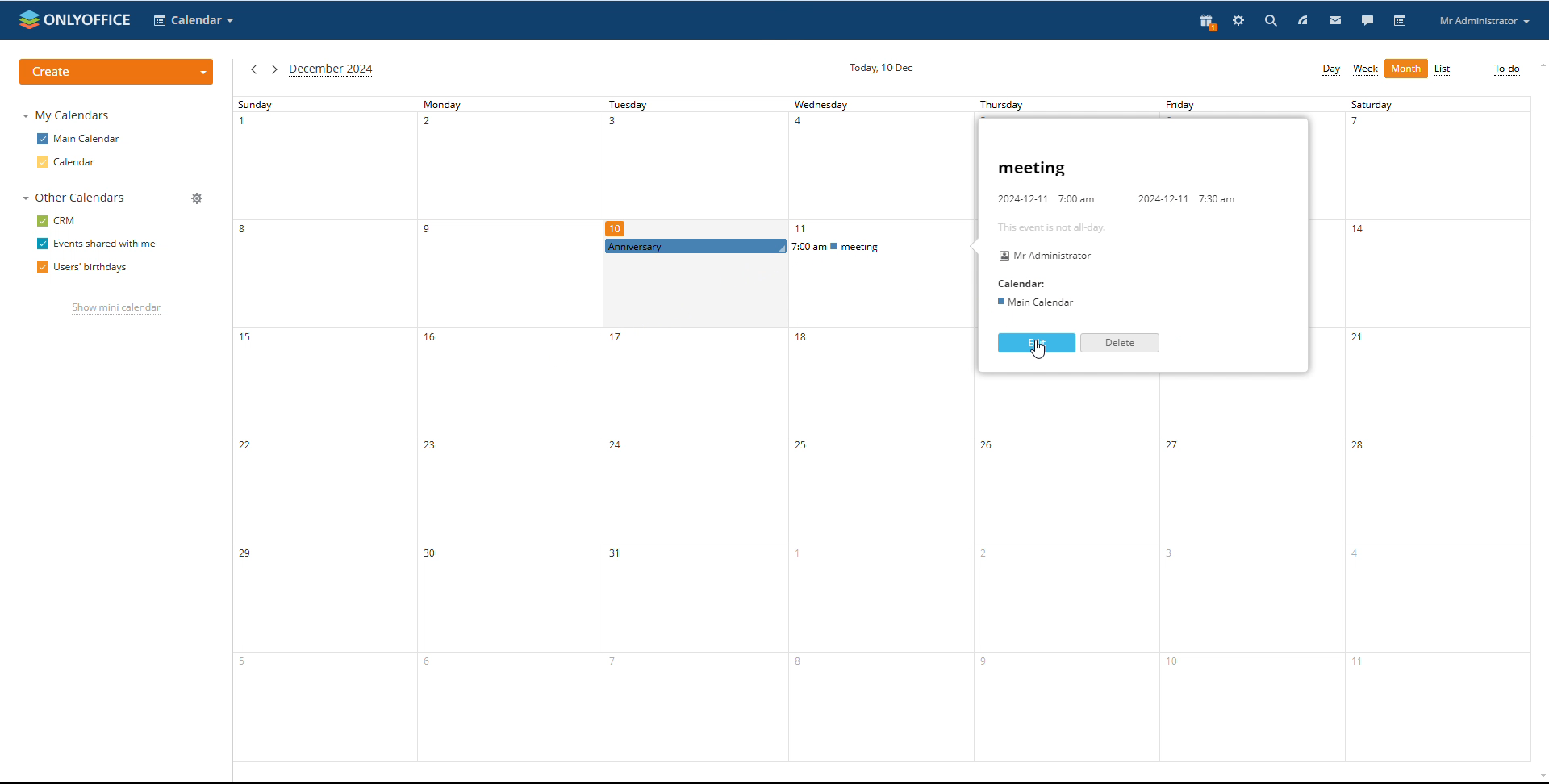 The height and width of the screenshot is (784, 1549). What do you see at coordinates (1435, 429) in the screenshot?
I see `saturday` at bounding box center [1435, 429].